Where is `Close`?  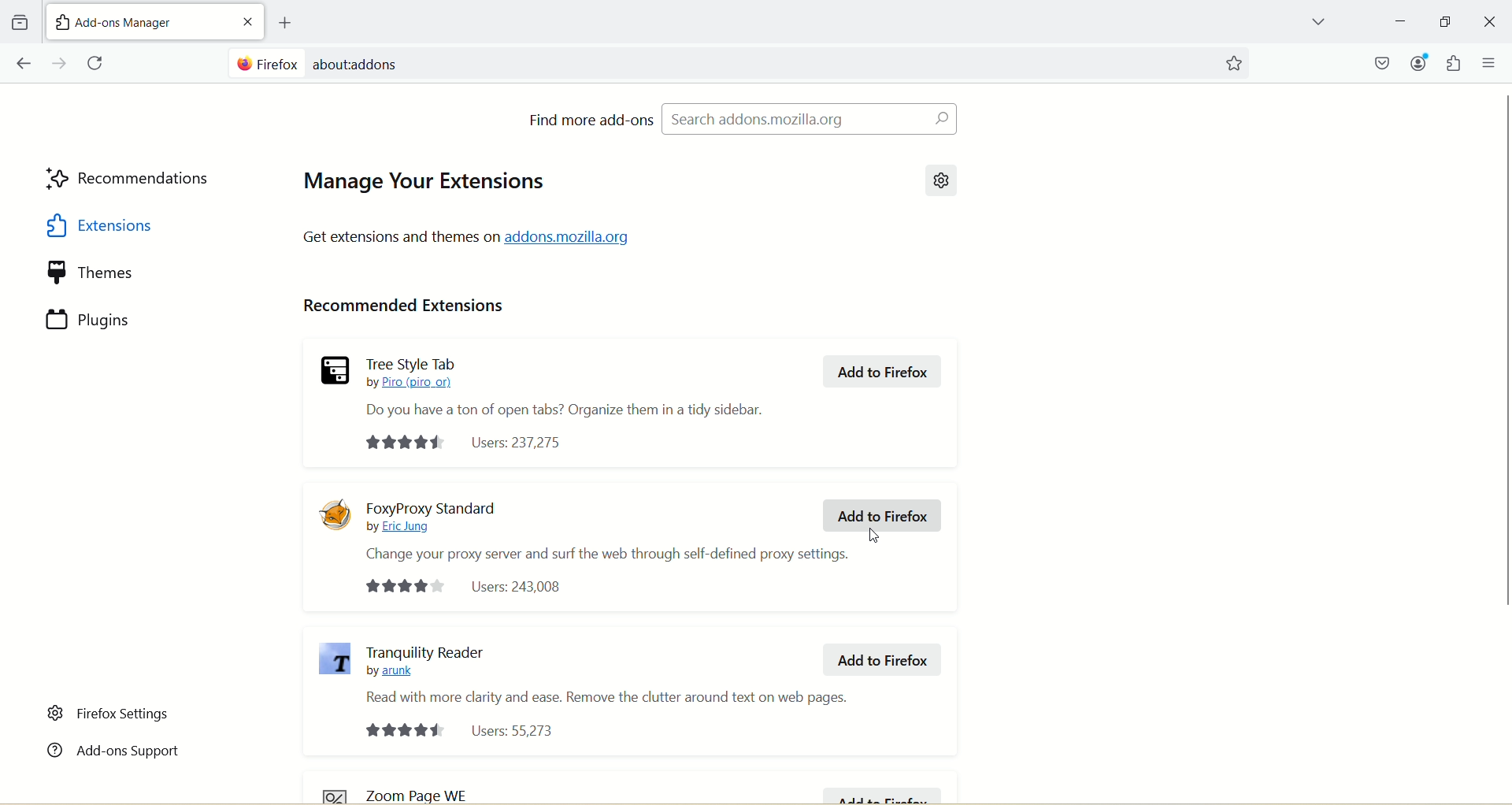 Close is located at coordinates (1491, 22).